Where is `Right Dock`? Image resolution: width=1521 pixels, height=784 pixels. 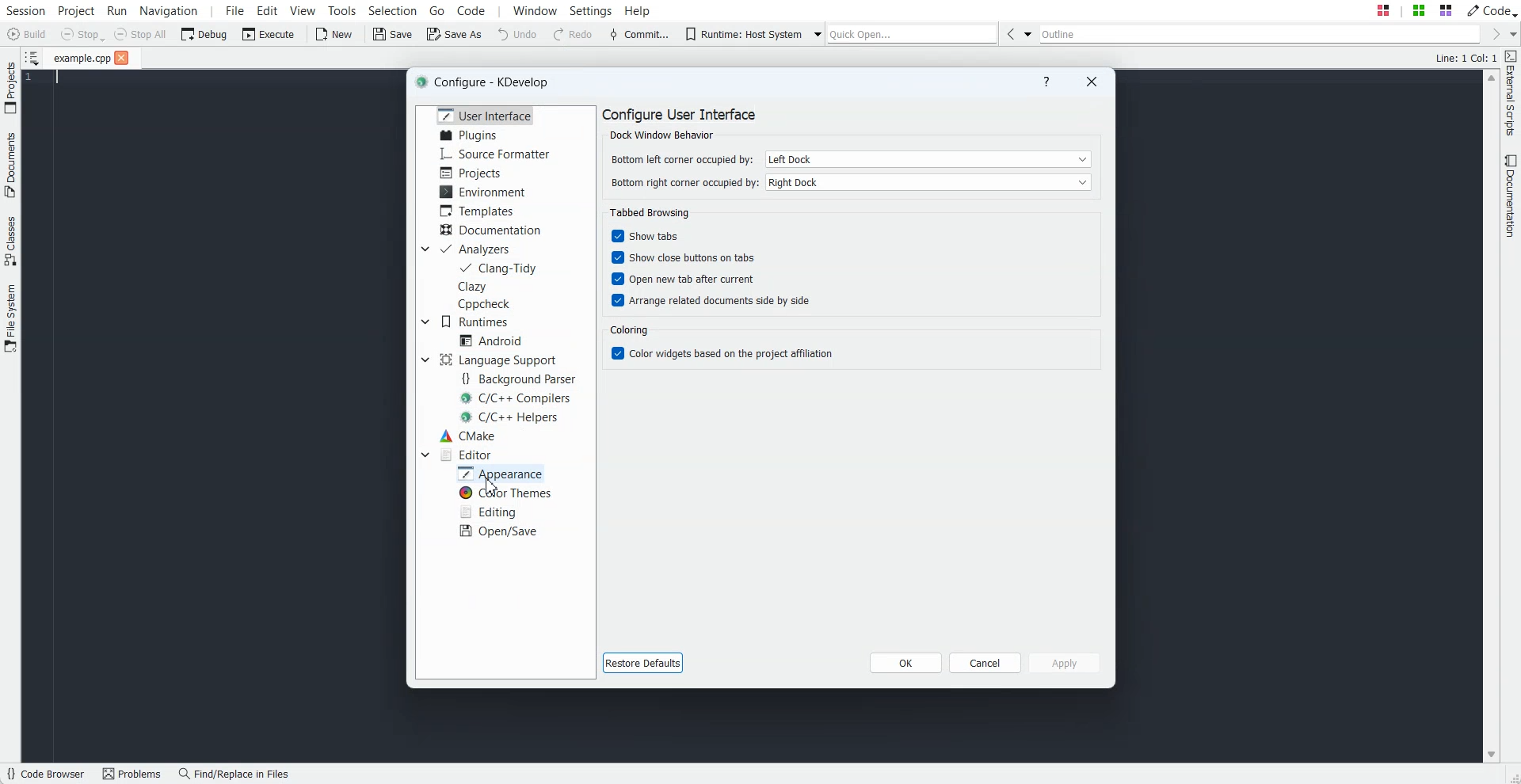 Right Dock is located at coordinates (930, 182).